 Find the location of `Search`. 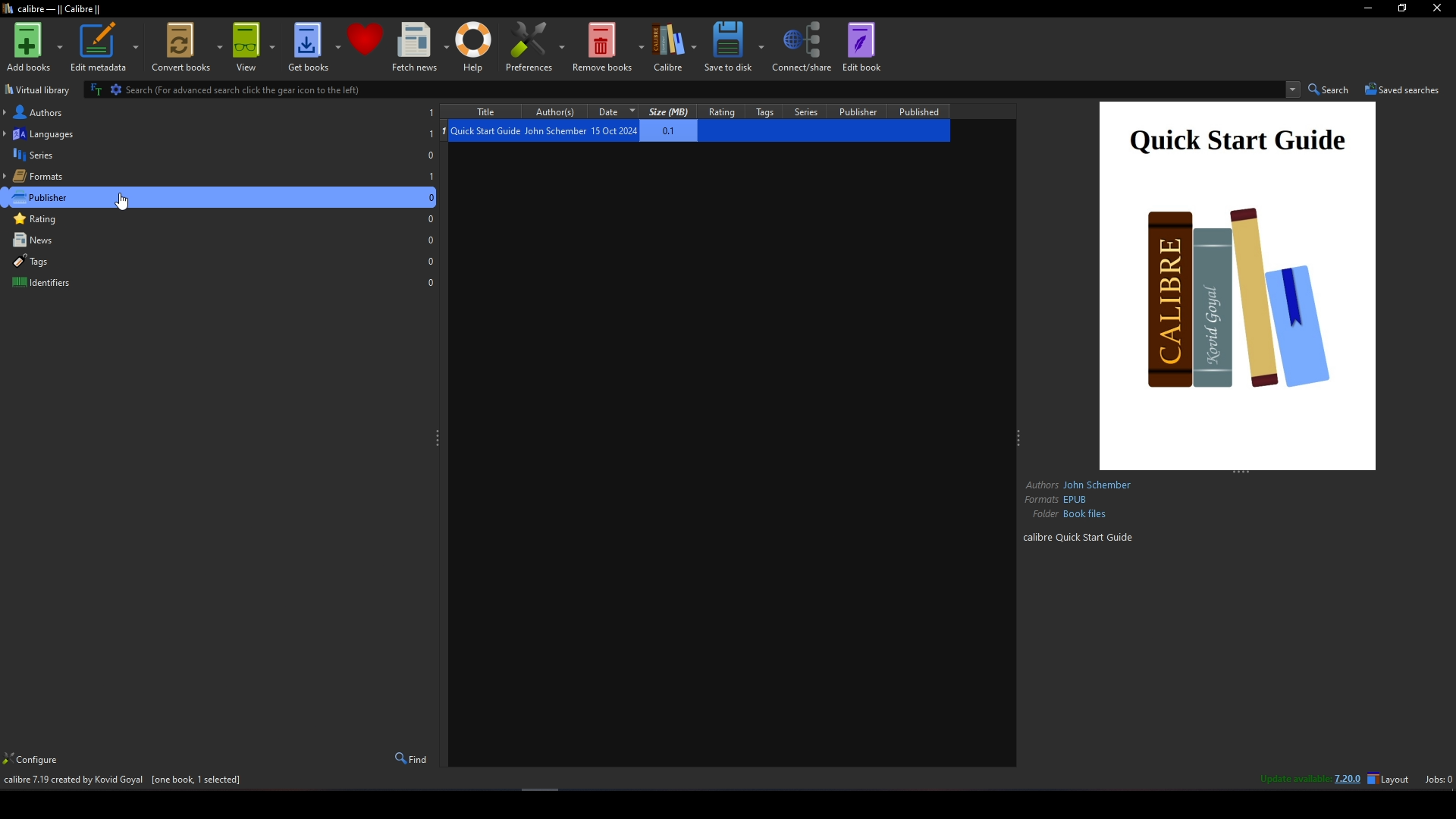

Search is located at coordinates (1331, 89).